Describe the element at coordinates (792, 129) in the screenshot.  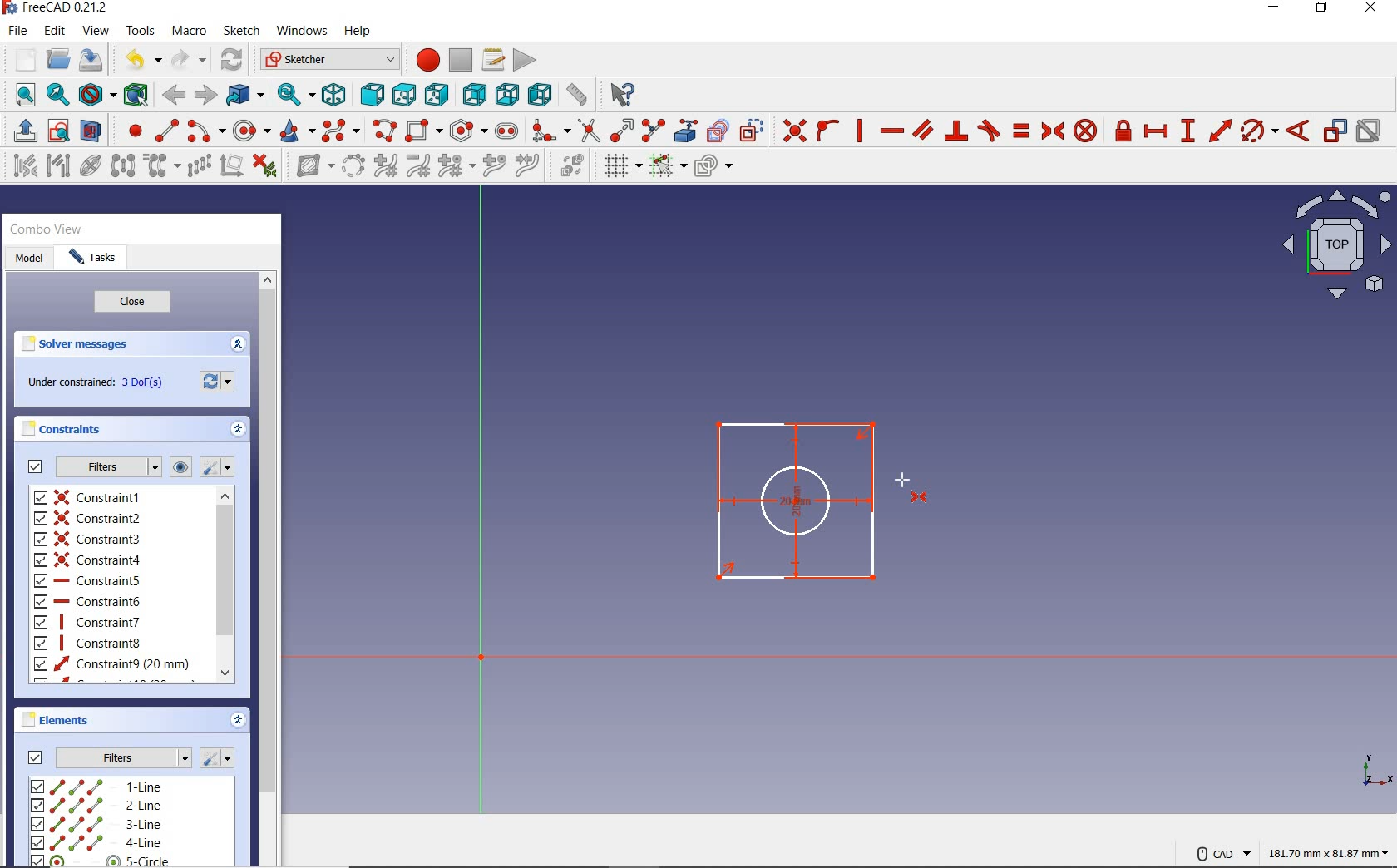
I see `constraint coincident` at that location.